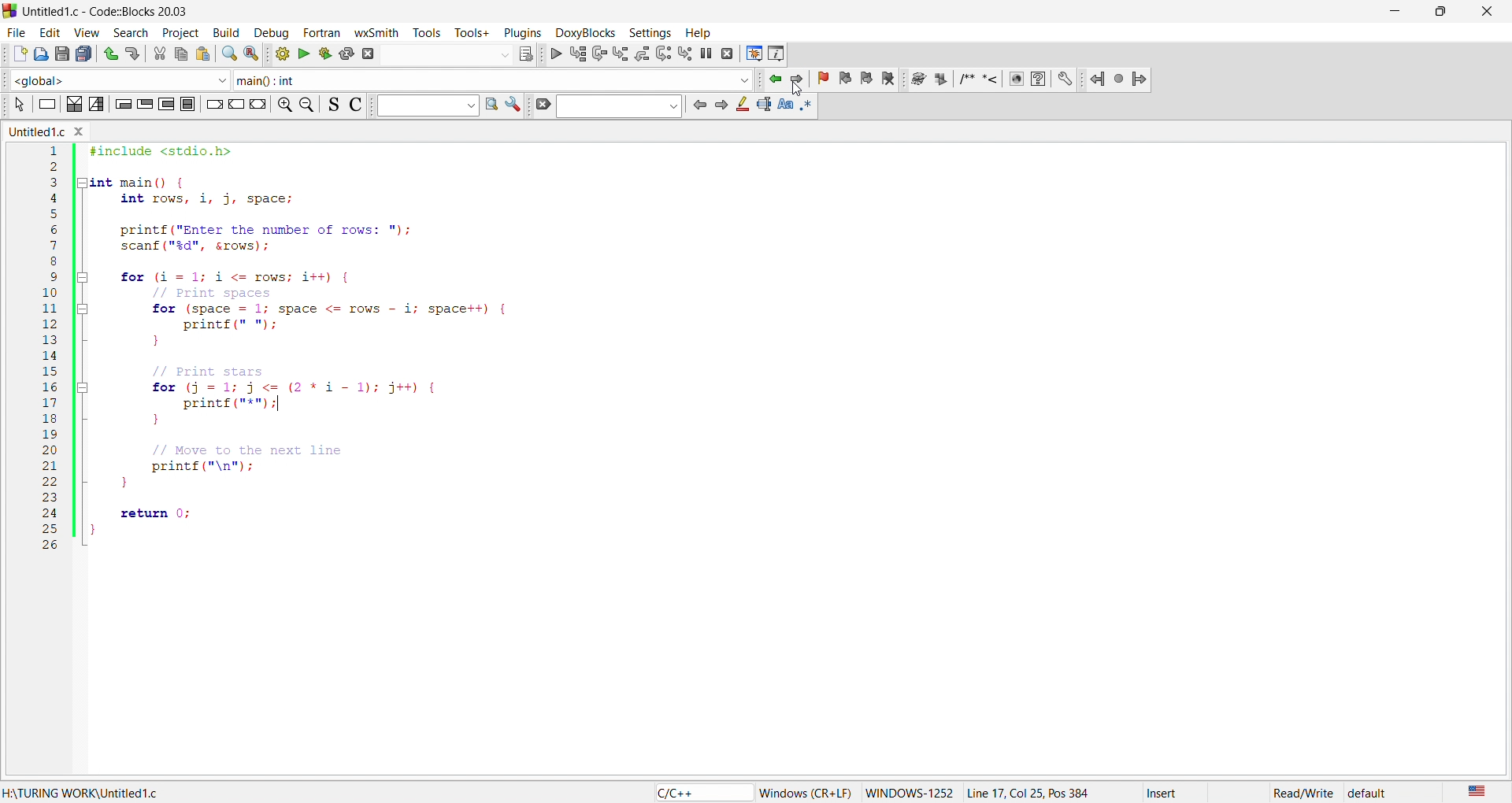  Describe the element at coordinates (16, 33) in the screenshot. I see `file` at that location.